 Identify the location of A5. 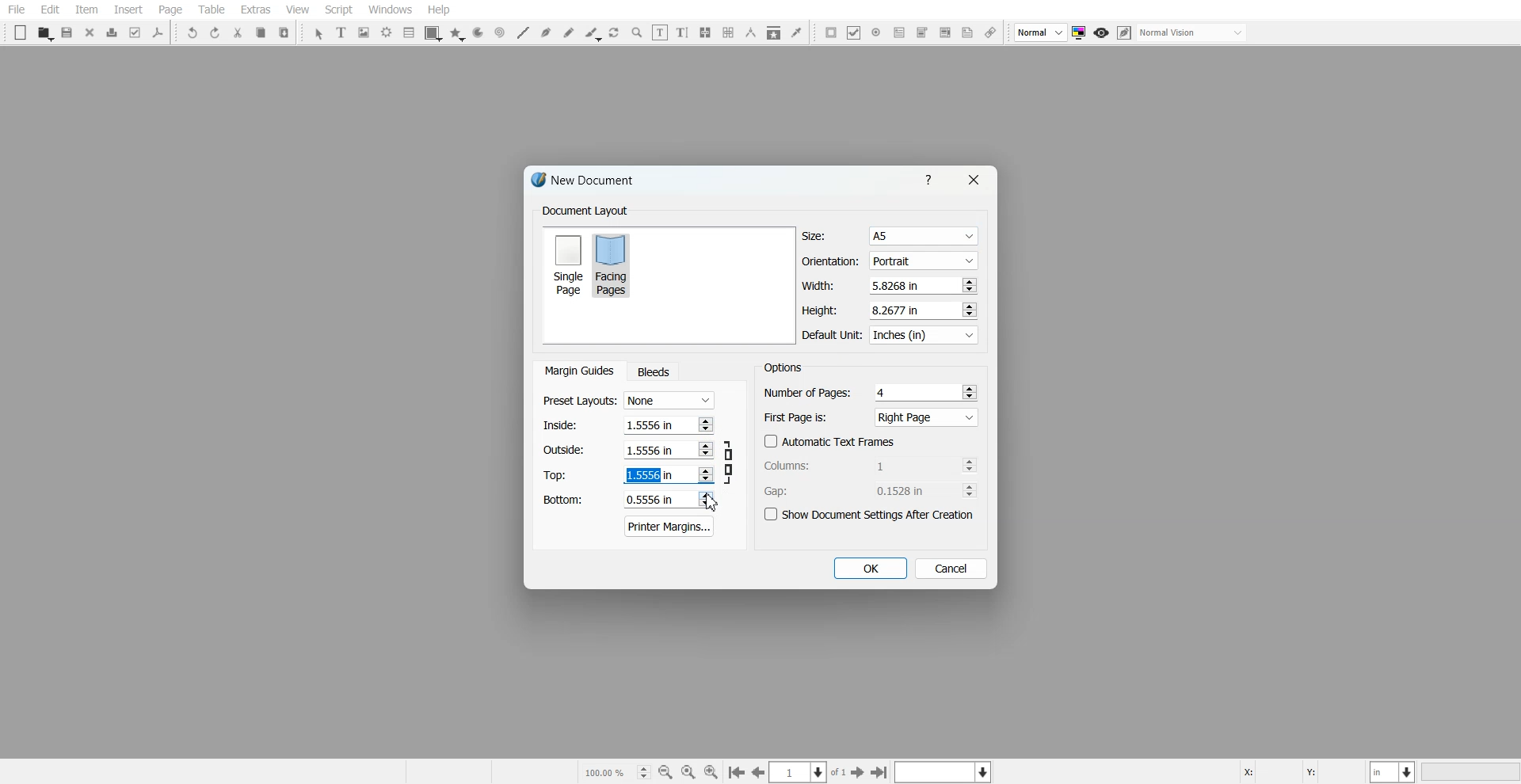
(922, 237).